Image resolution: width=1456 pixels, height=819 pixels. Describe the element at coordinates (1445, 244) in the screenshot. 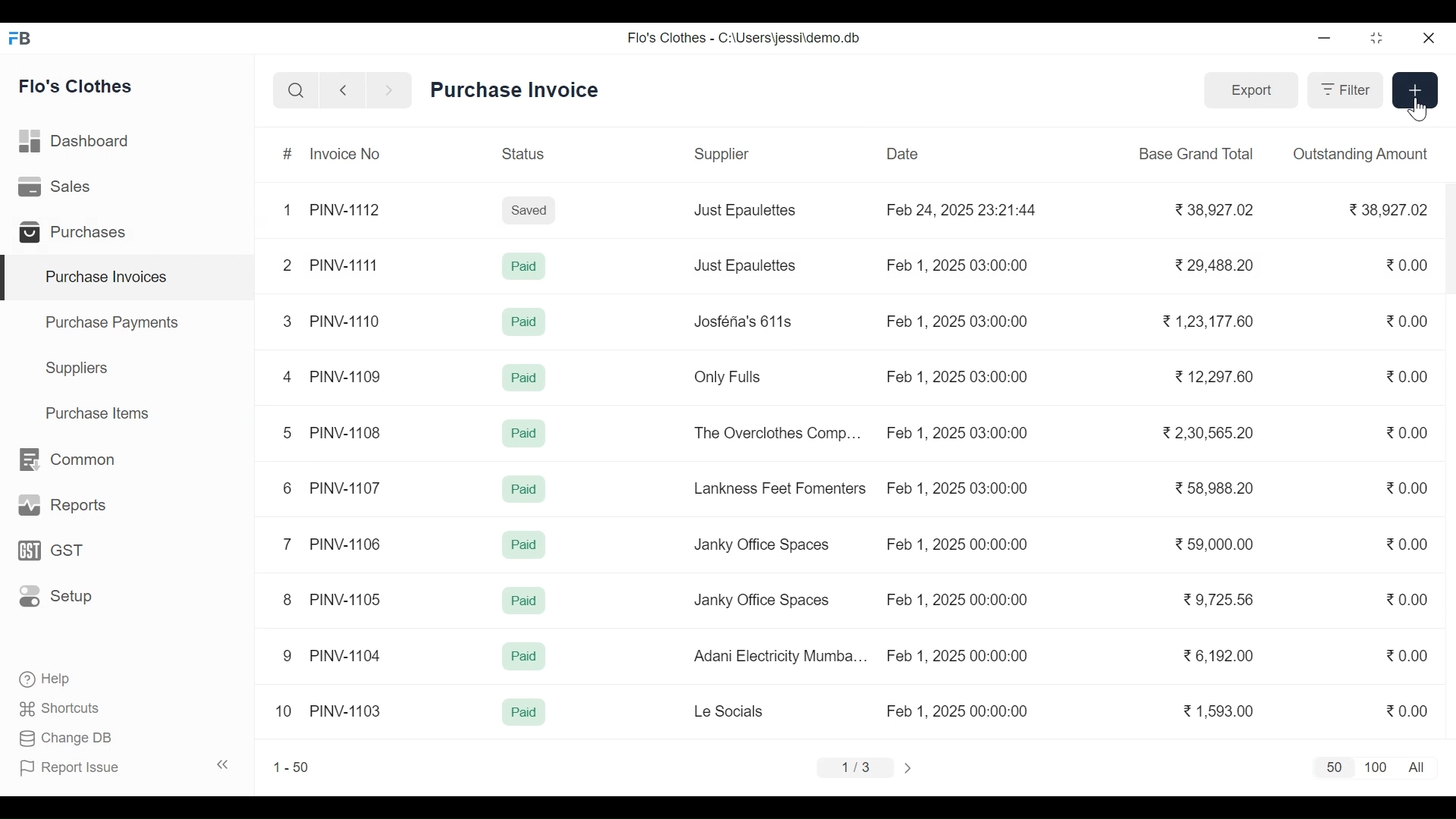

I see `Vertical Scroll bar` at that location.